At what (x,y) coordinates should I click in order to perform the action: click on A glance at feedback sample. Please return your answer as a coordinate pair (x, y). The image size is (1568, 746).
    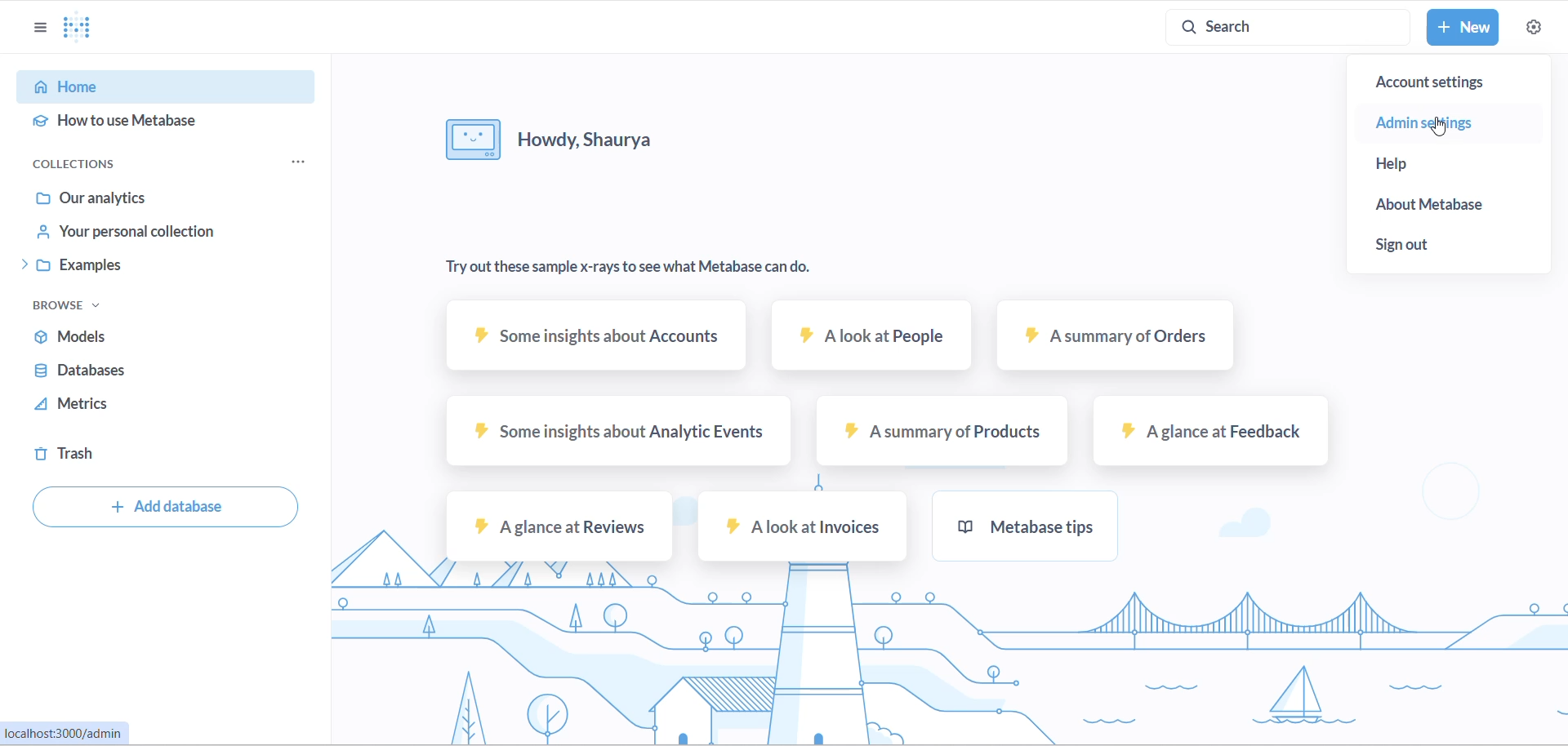
    Looking at the image, I should click on (1209, 432).